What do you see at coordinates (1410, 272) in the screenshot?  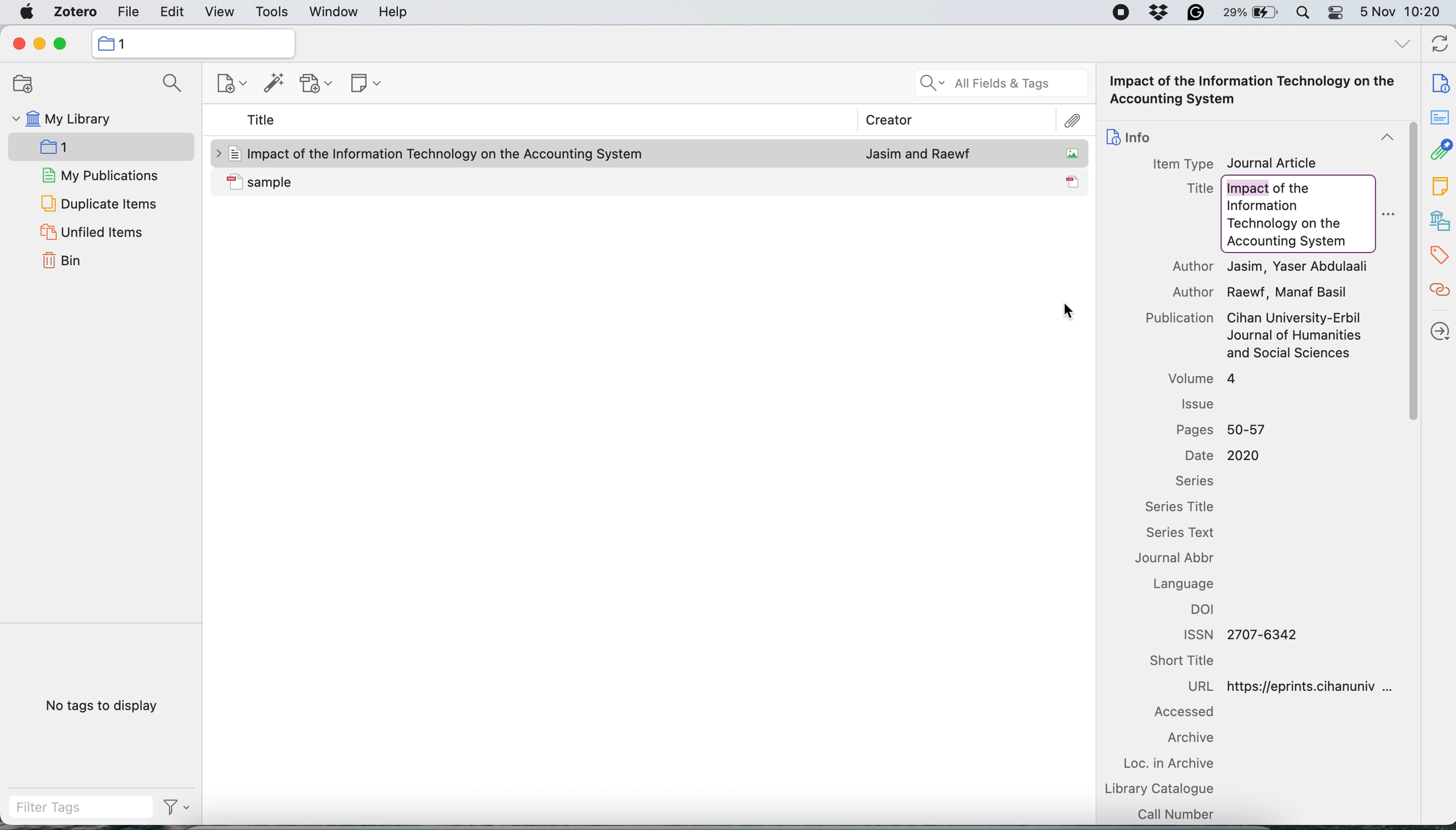 I see `vertical scroll bar` at bounding box center [1410, 272].